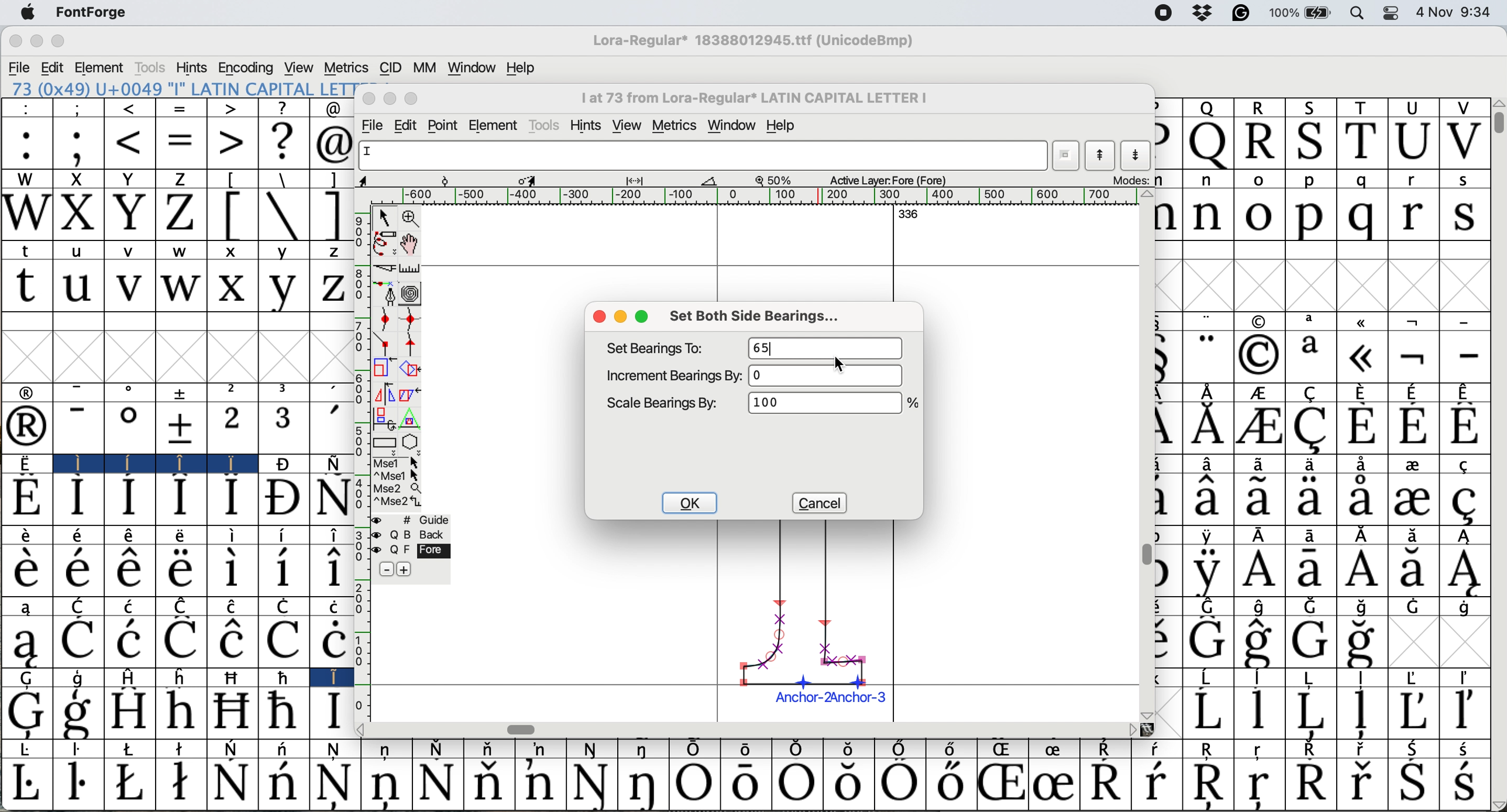  I want to click on Symbol, so click(1363, 464).